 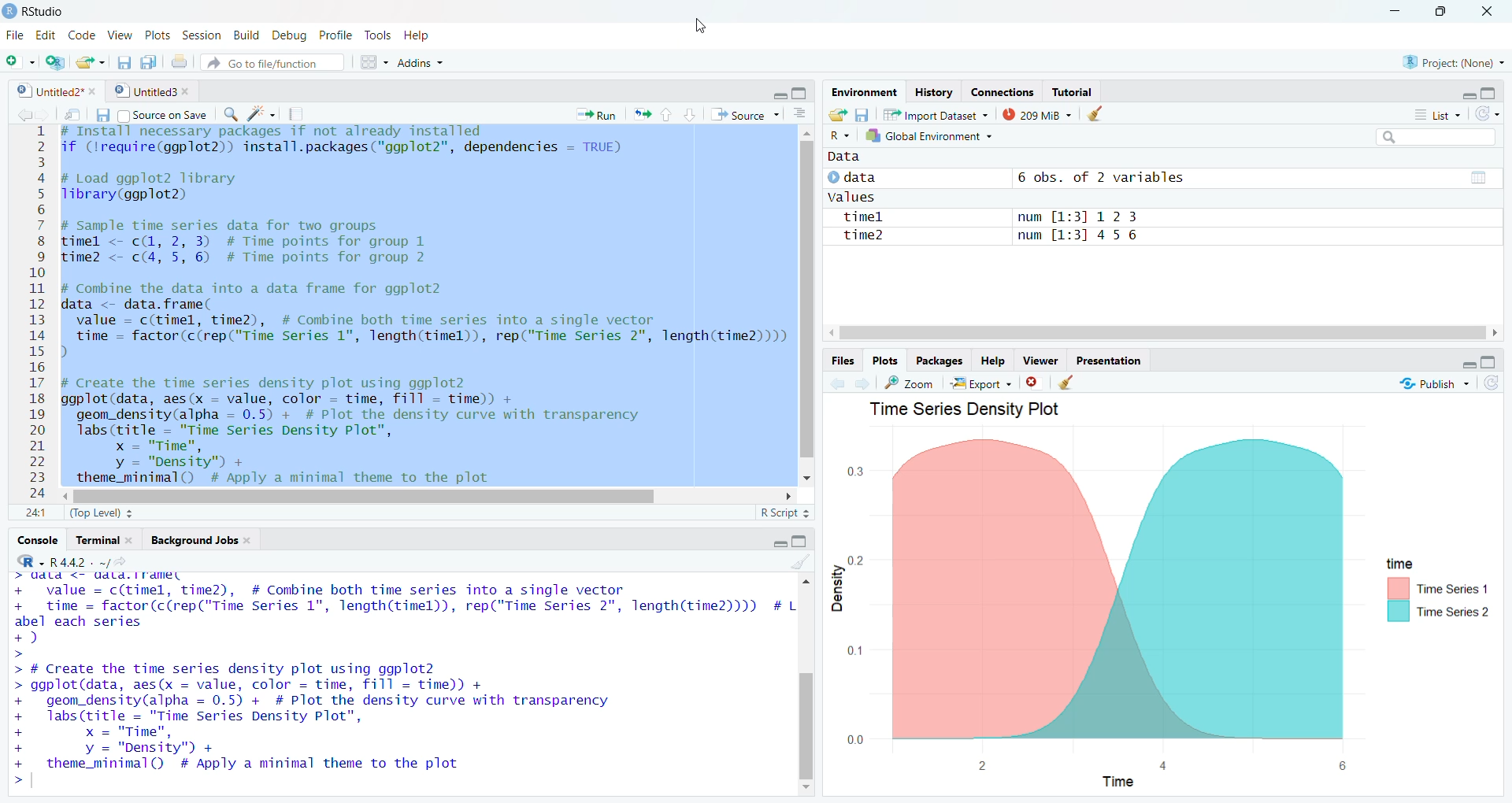 What do you see at coordinates (993, 362) in the screenshot?
I see `Help` at bounding box center [993, 362].